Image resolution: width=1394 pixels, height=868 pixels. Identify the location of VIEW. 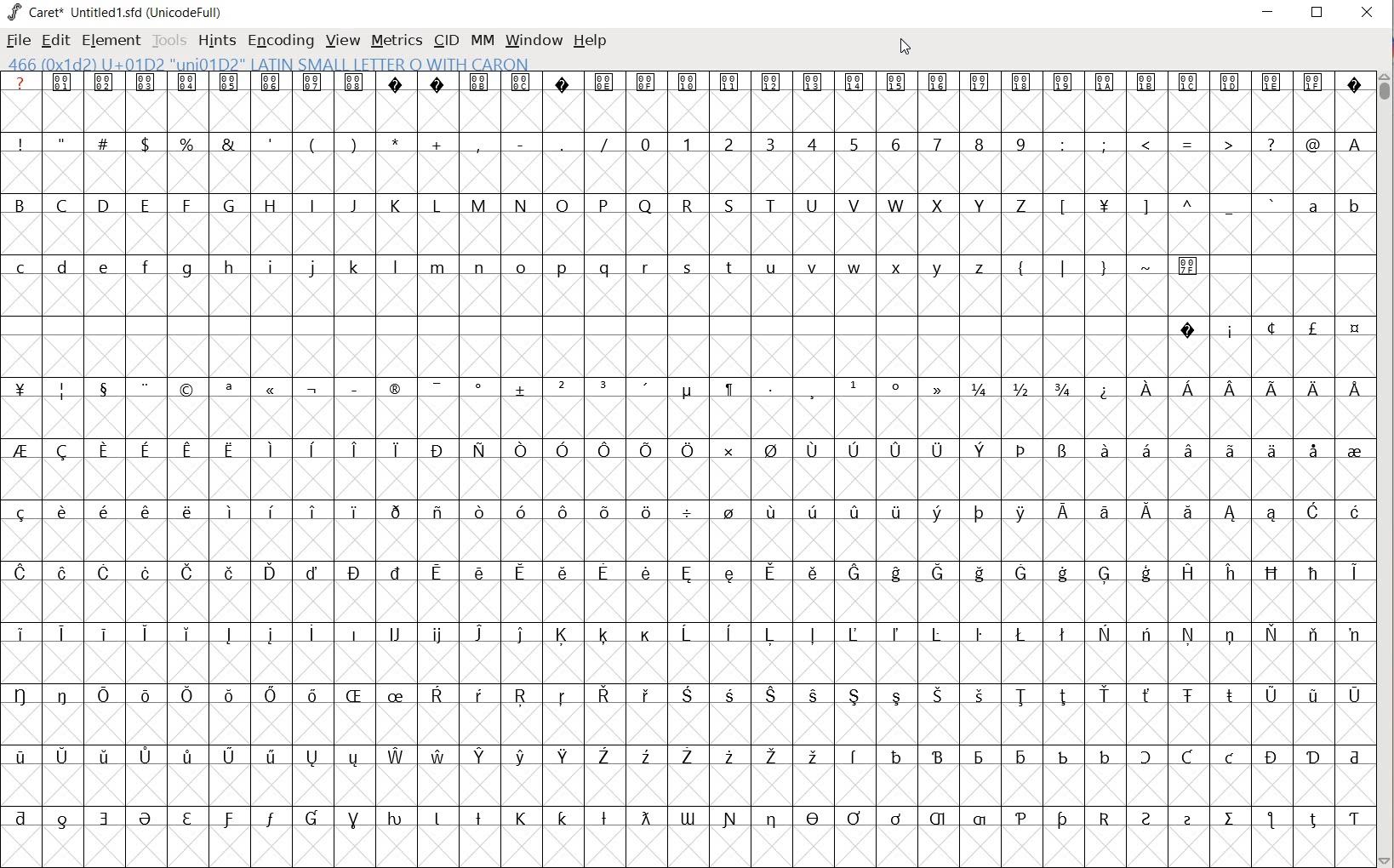
(342, 41).